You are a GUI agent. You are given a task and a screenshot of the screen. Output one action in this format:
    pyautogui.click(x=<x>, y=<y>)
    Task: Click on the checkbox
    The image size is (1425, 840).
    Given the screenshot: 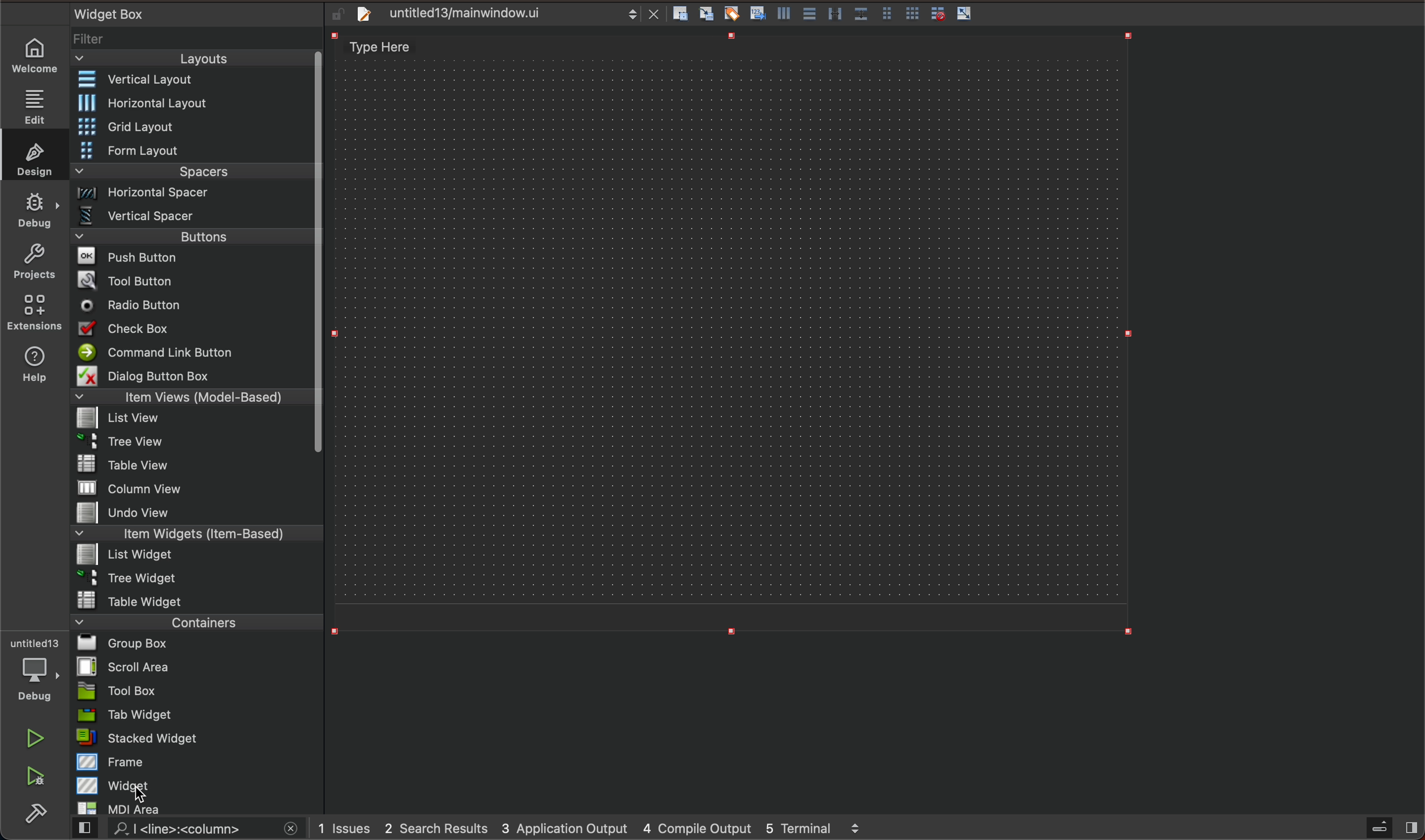 What is the action you would take?
    pyautogui.click(x=195, y=329)
    